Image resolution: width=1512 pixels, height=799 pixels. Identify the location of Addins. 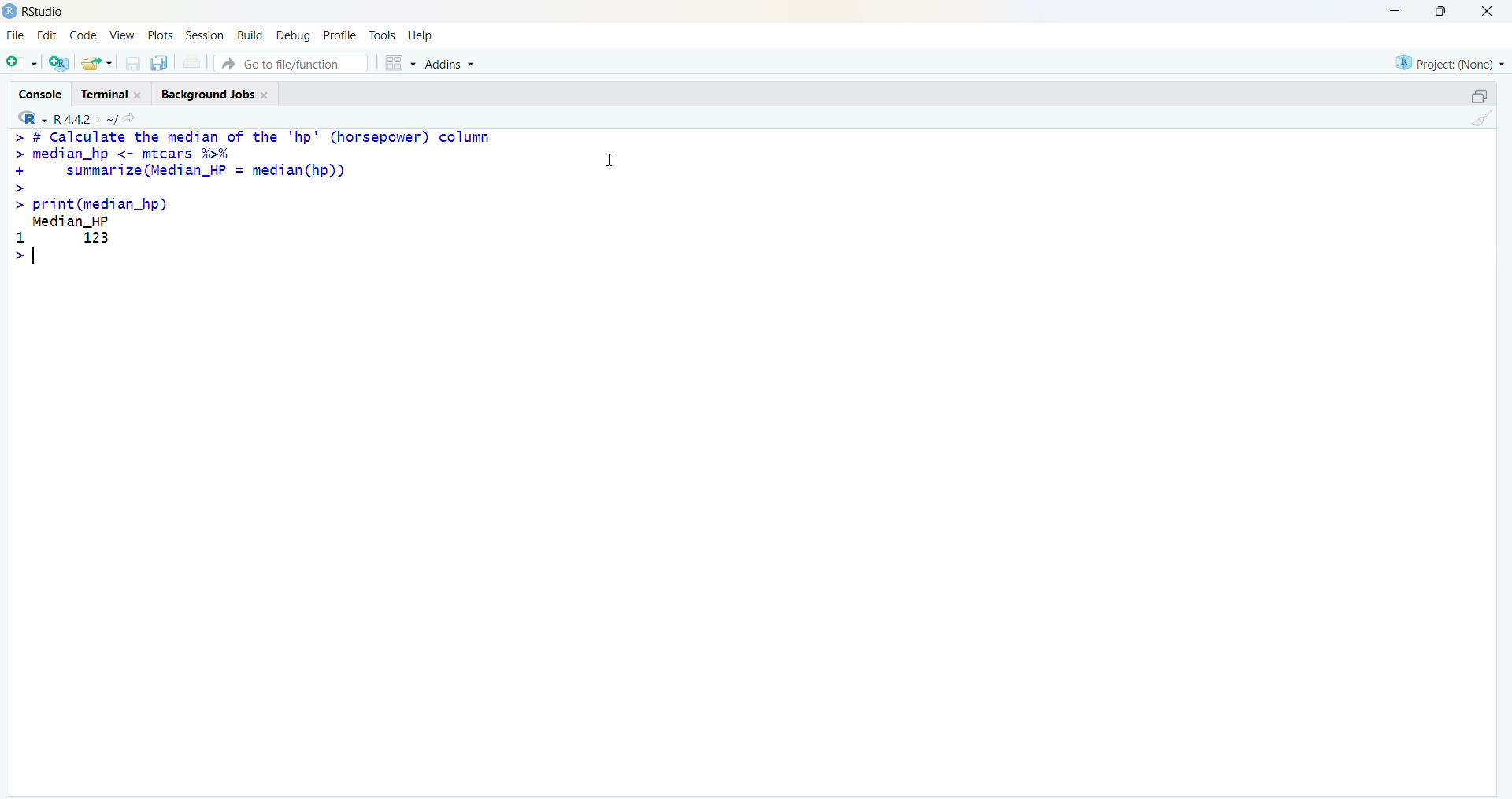
(450, 63).